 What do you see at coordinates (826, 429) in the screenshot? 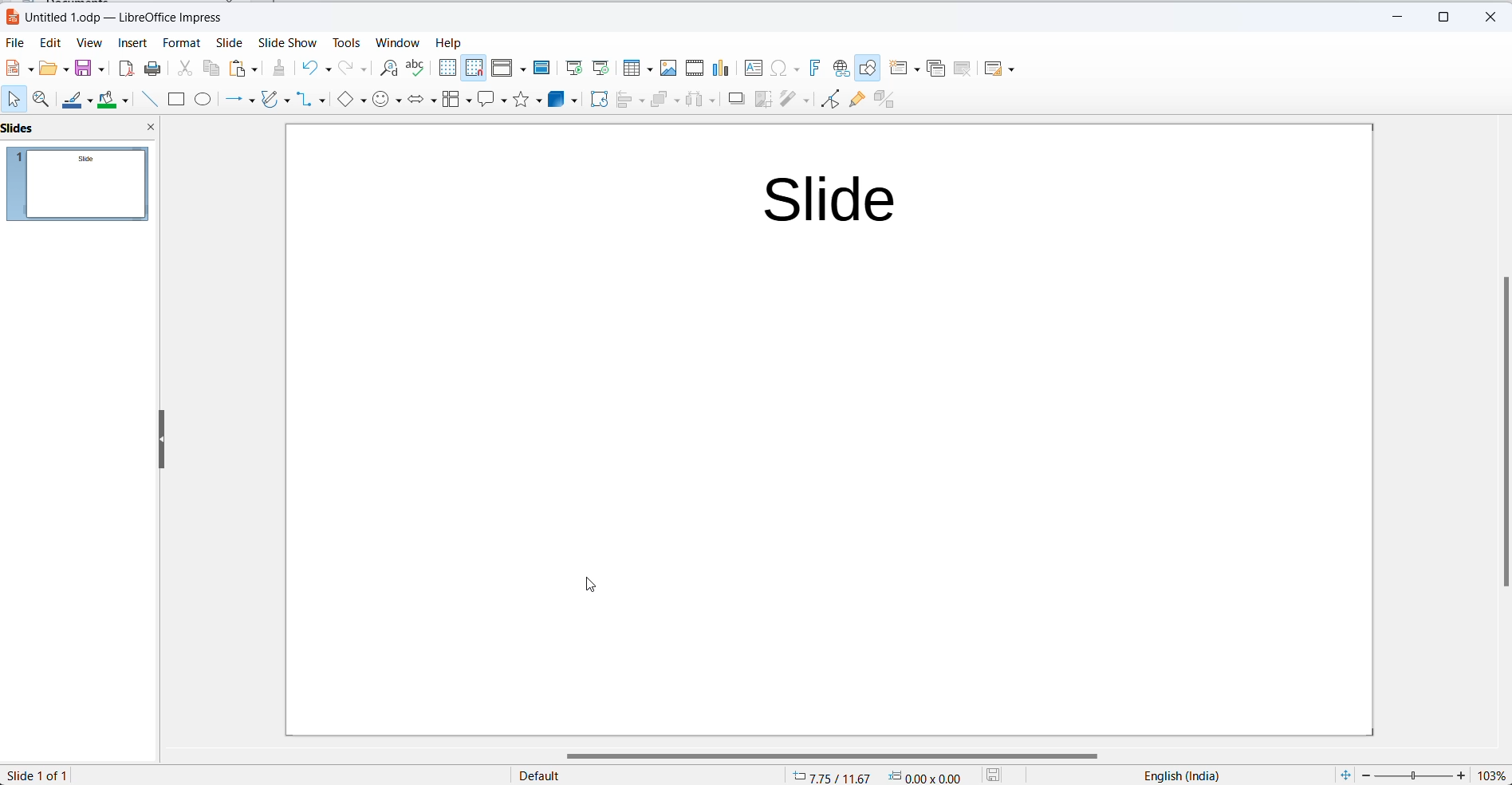
I see `current slide` at bounding box center [826, 429].